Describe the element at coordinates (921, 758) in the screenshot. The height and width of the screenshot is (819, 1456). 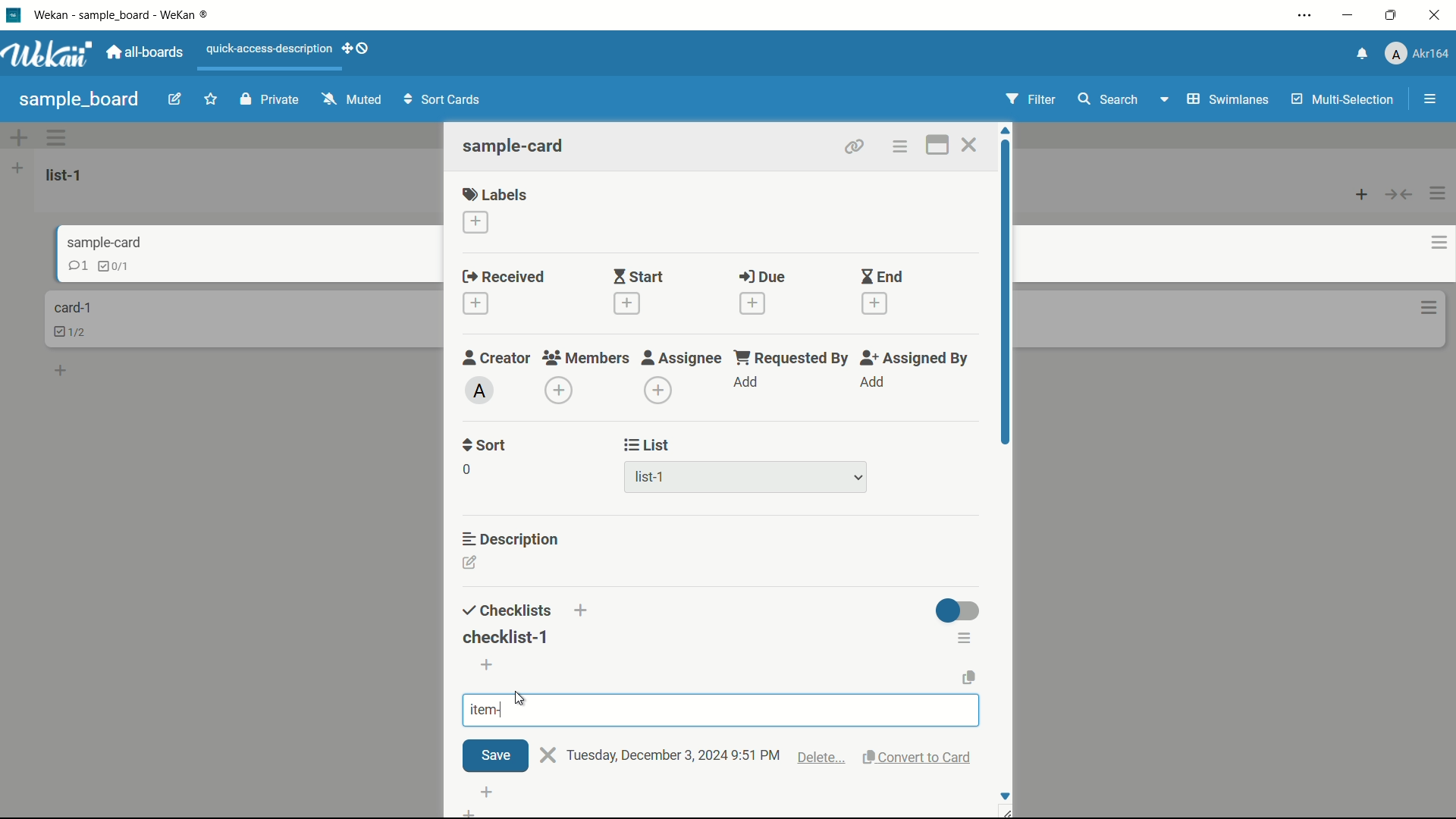
I see `convert to card` at that location.